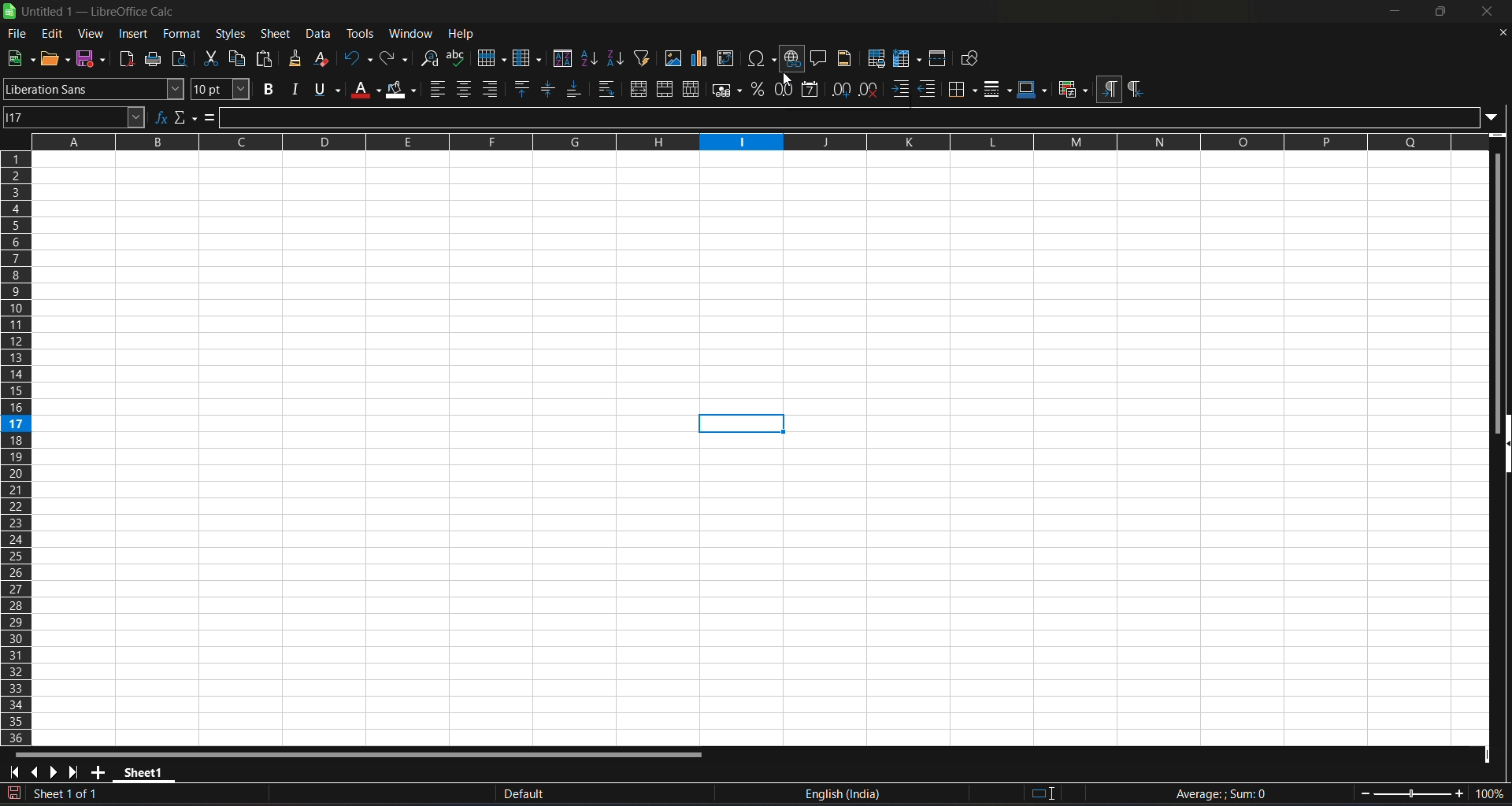 Image resolution: width=1512 pixels, height=806 pixels. What do you see at coordinates (321, 34) in the screenshot?
I see `data` at bounding box center [321, 34].